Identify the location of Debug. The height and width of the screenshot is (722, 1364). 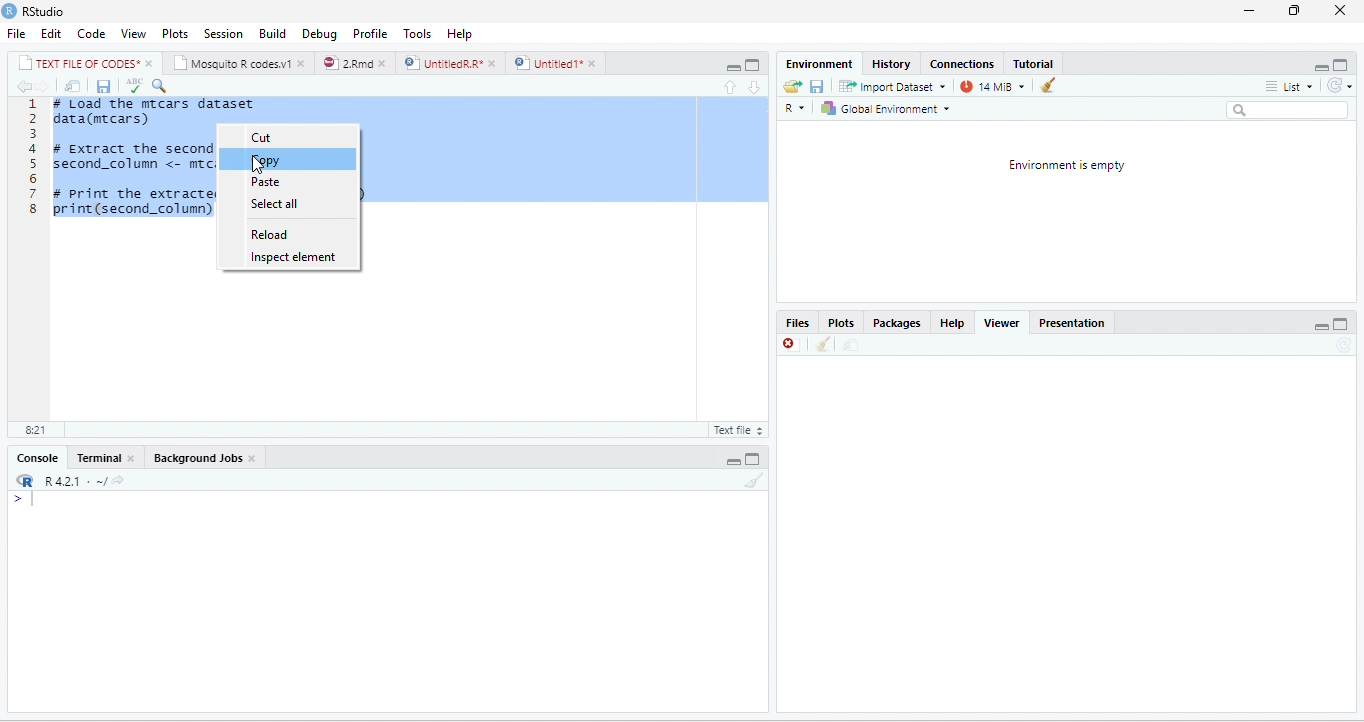
(317, 32).